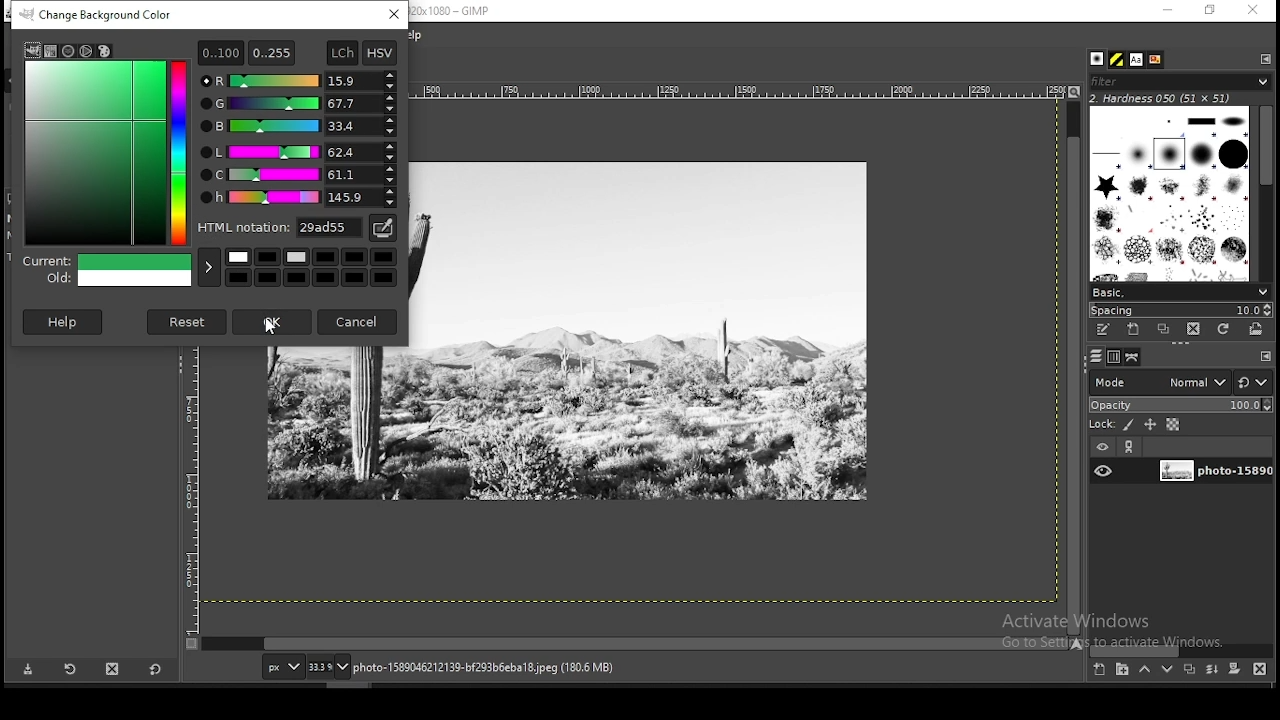 The height and width of the screenshot is (720, 1280). I want to click on , so click(504, 667).